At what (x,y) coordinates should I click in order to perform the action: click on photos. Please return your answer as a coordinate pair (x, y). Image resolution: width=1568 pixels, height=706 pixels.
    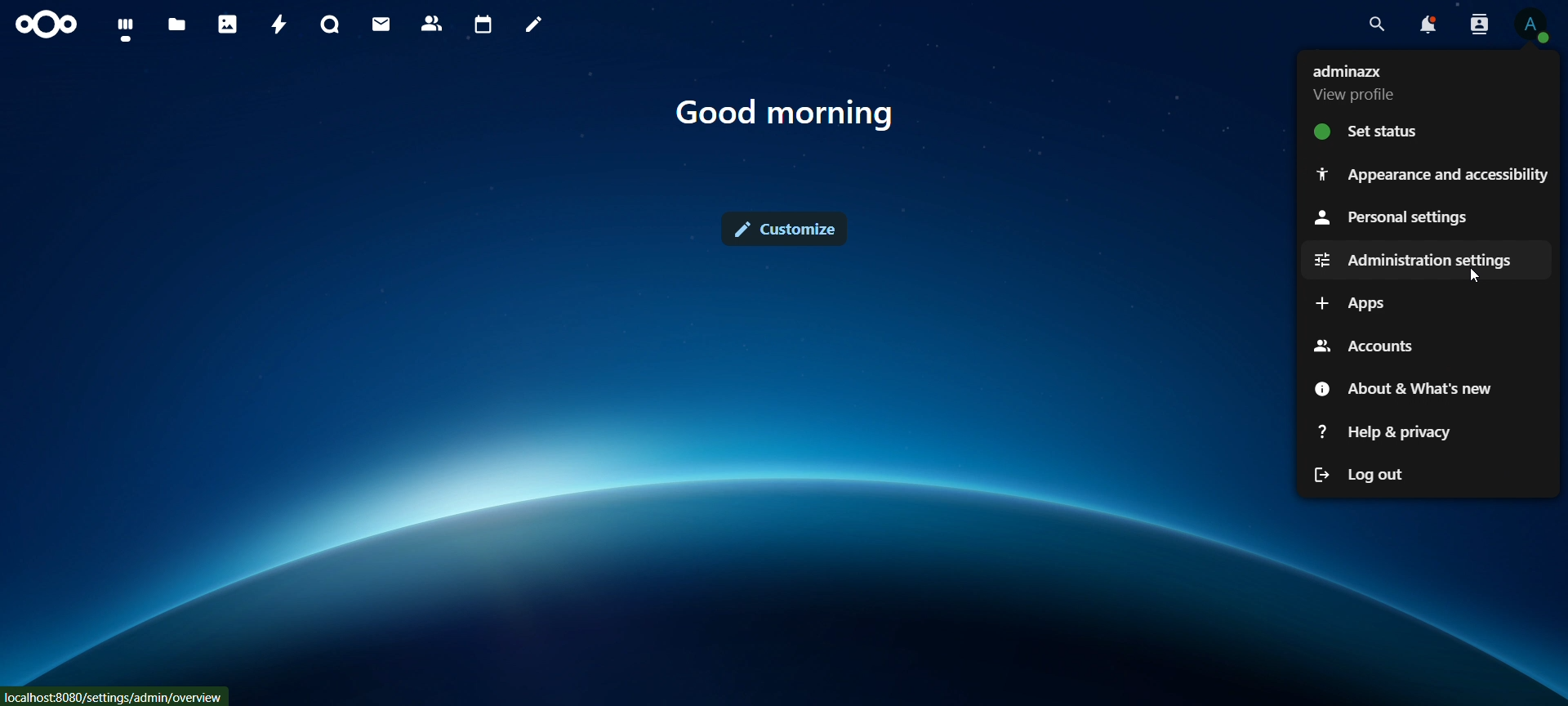
    Looking at the image, I should click on (228, 24).